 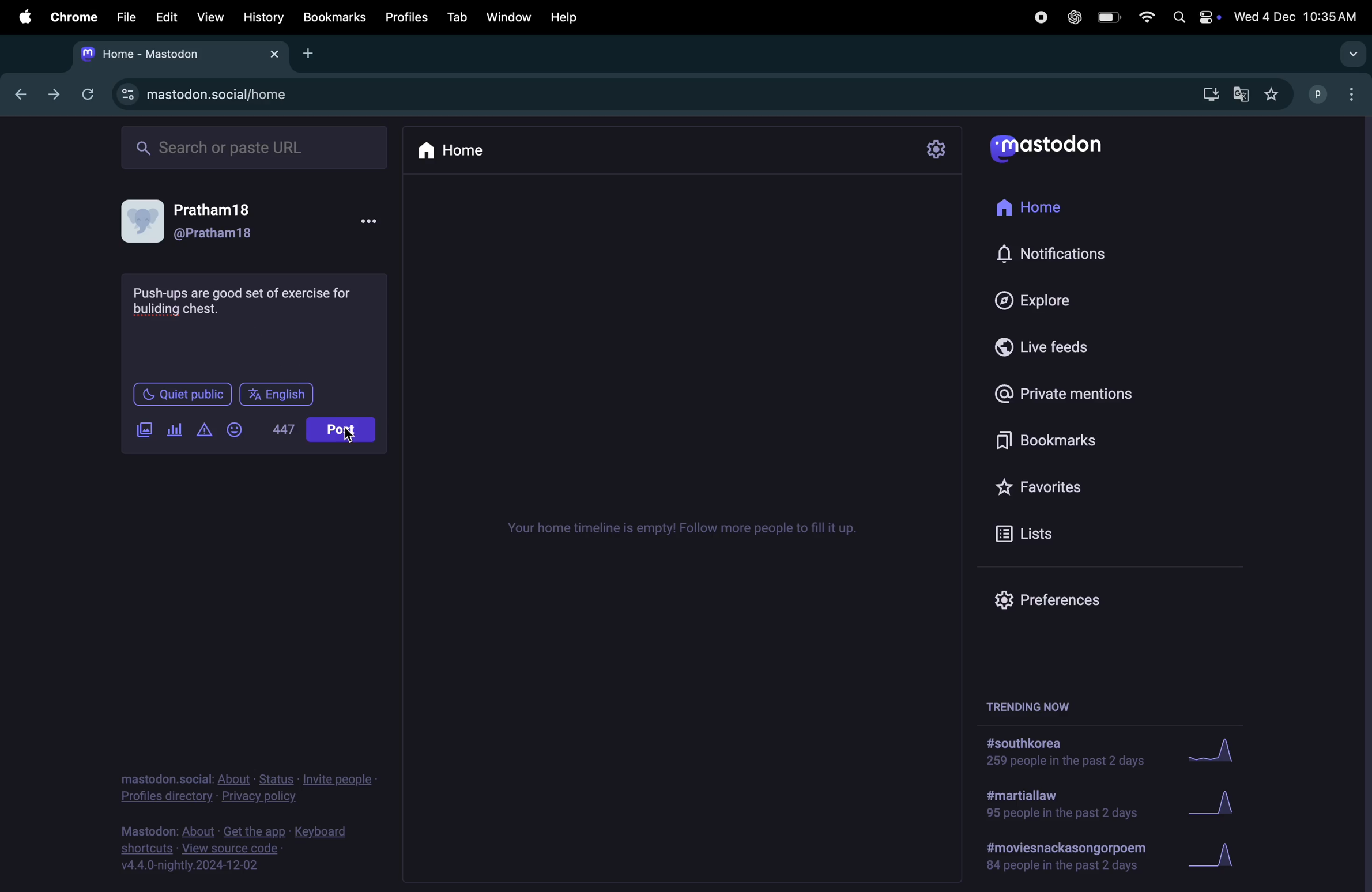 What do you see at coordinates (1039, 209) in the screenshot?
I see `Home` at bounding box center [1039, 209].